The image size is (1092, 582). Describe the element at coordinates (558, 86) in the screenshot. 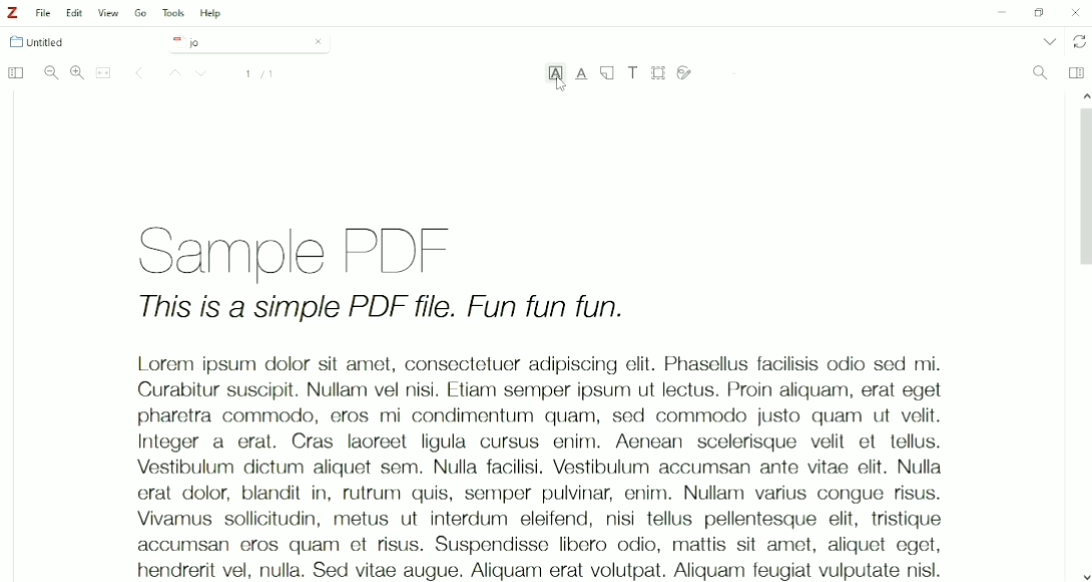

I see `Cursor` at that location.